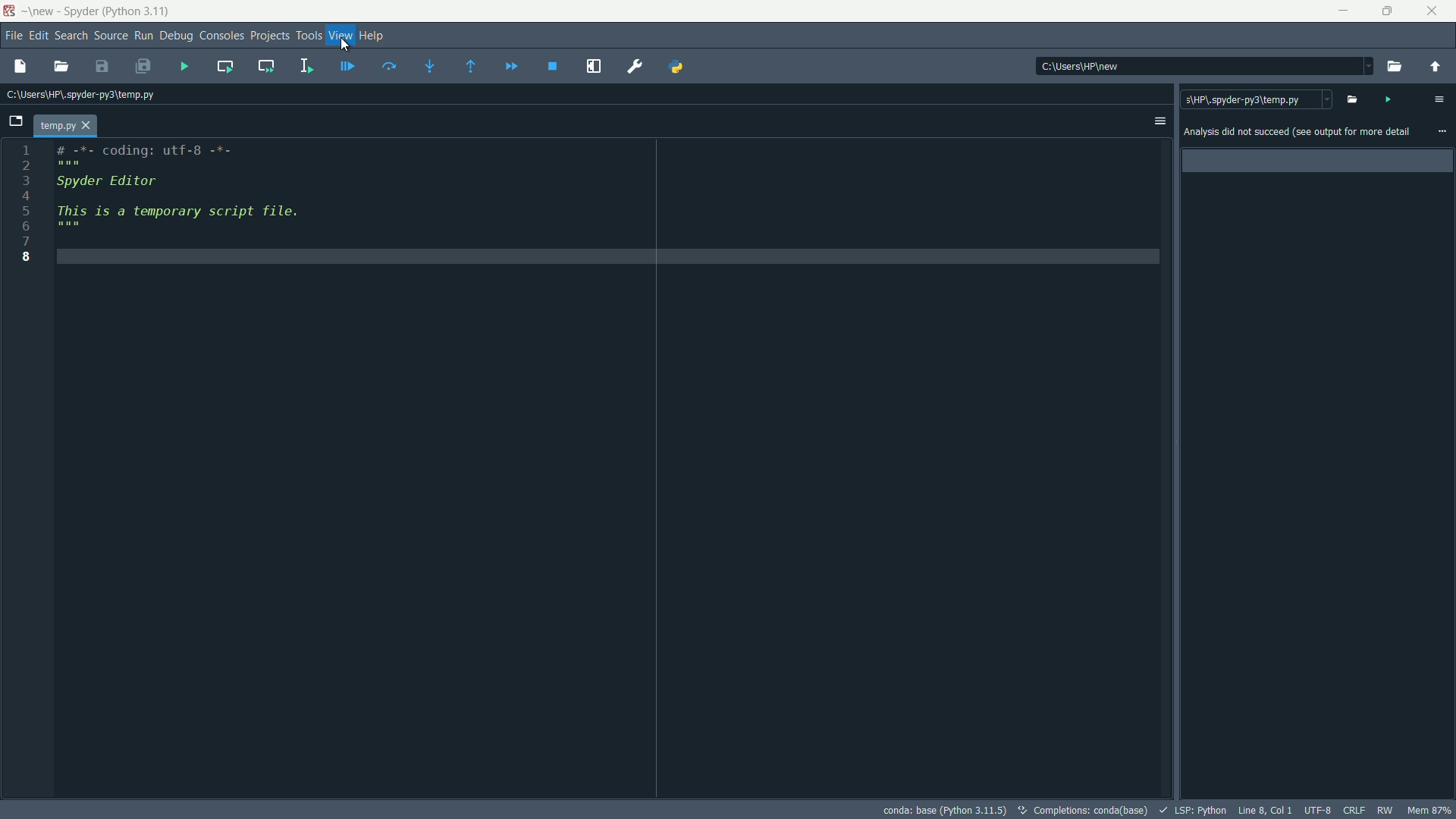  I want to click on file menu, so click(11, 36).